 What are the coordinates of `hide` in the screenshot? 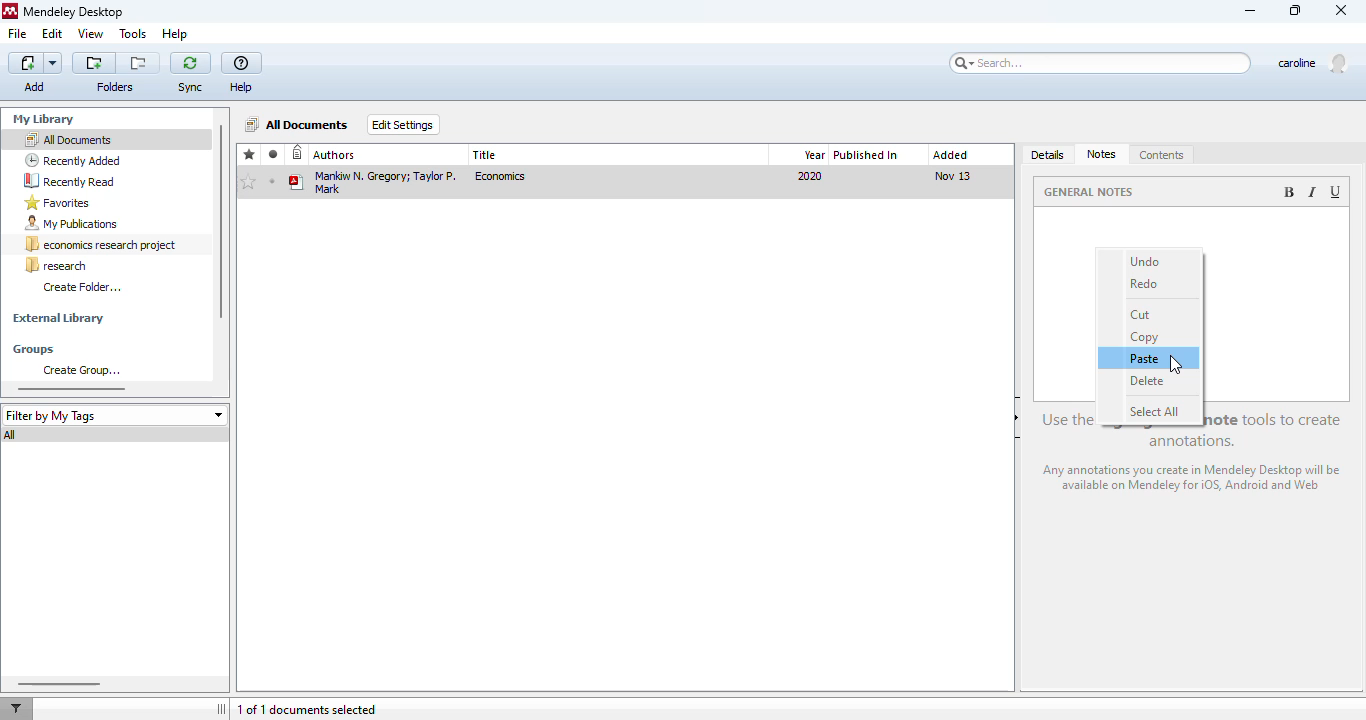 It's located at (1018, 417).